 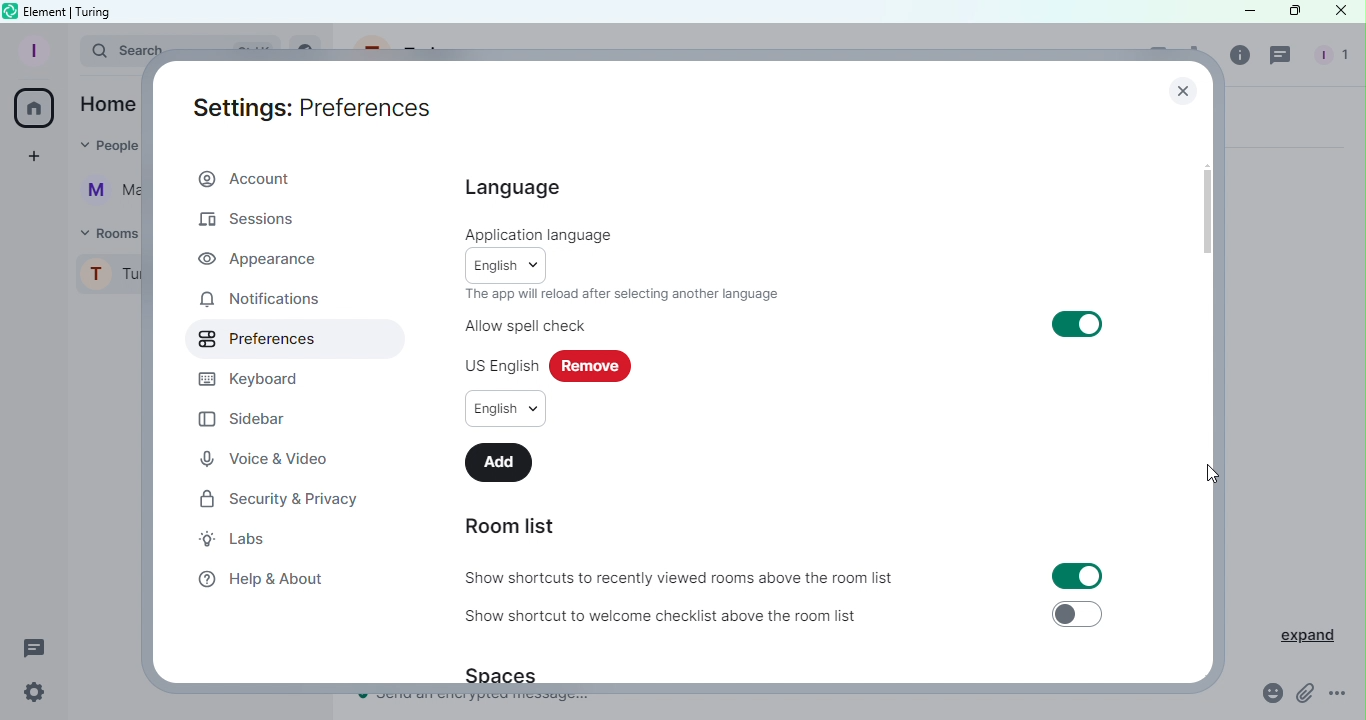 I want to click on Toggle, so click(x=1078, y=614).